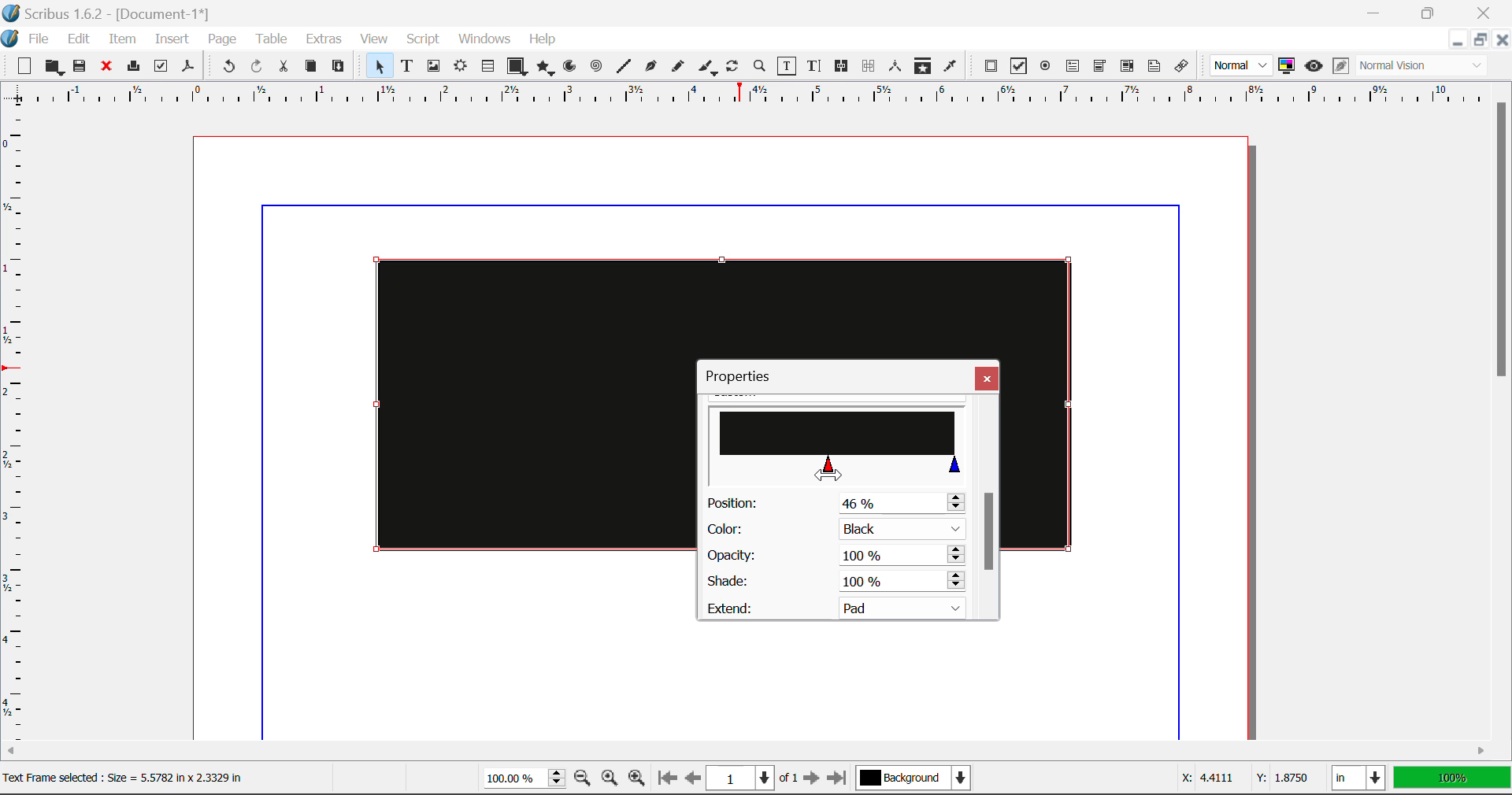 The width and height of the screenshot is (1512, 795). I want to click on Preflight Verifier, so click(161, 68).